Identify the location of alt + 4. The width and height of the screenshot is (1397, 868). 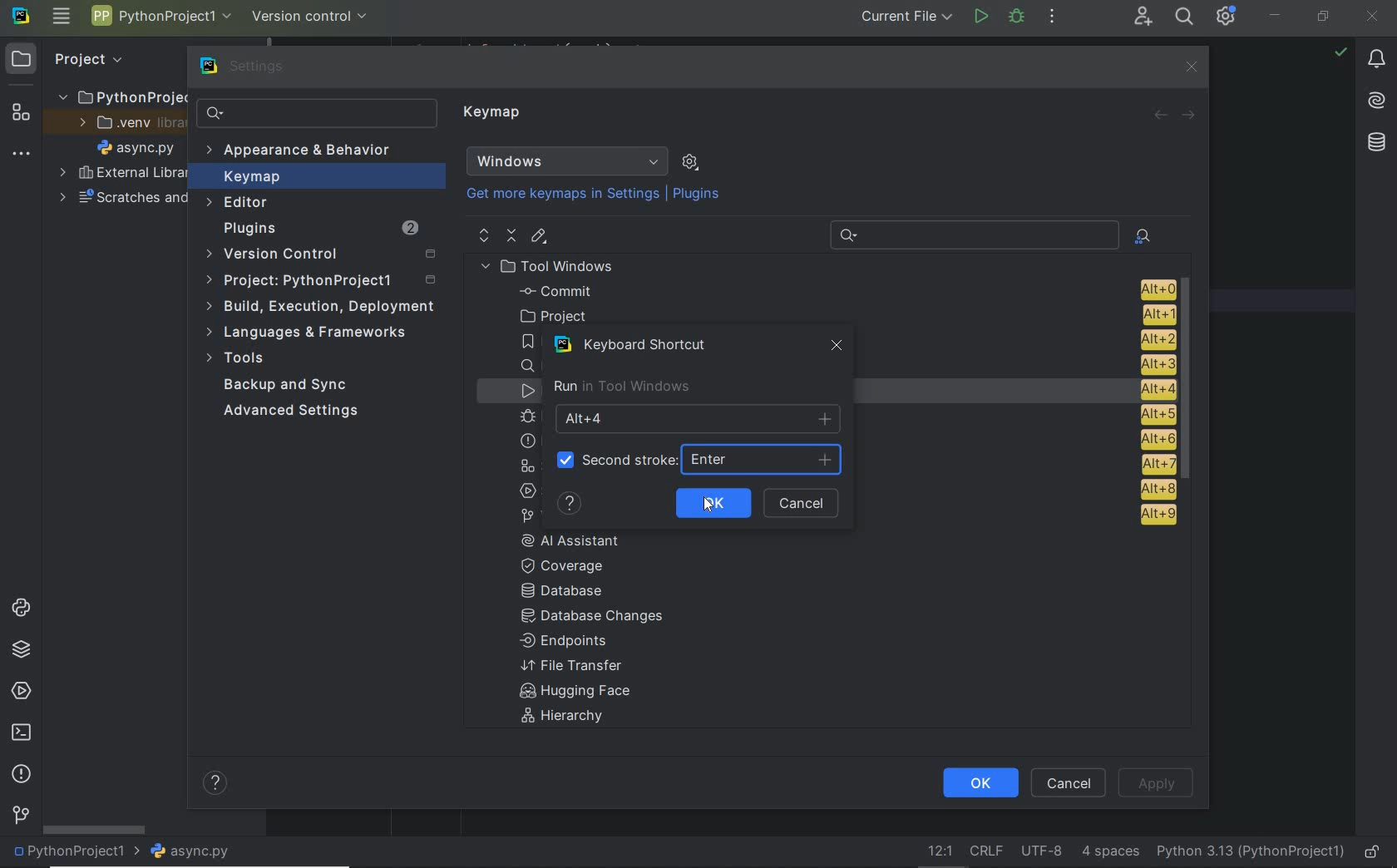
(1150, 389).